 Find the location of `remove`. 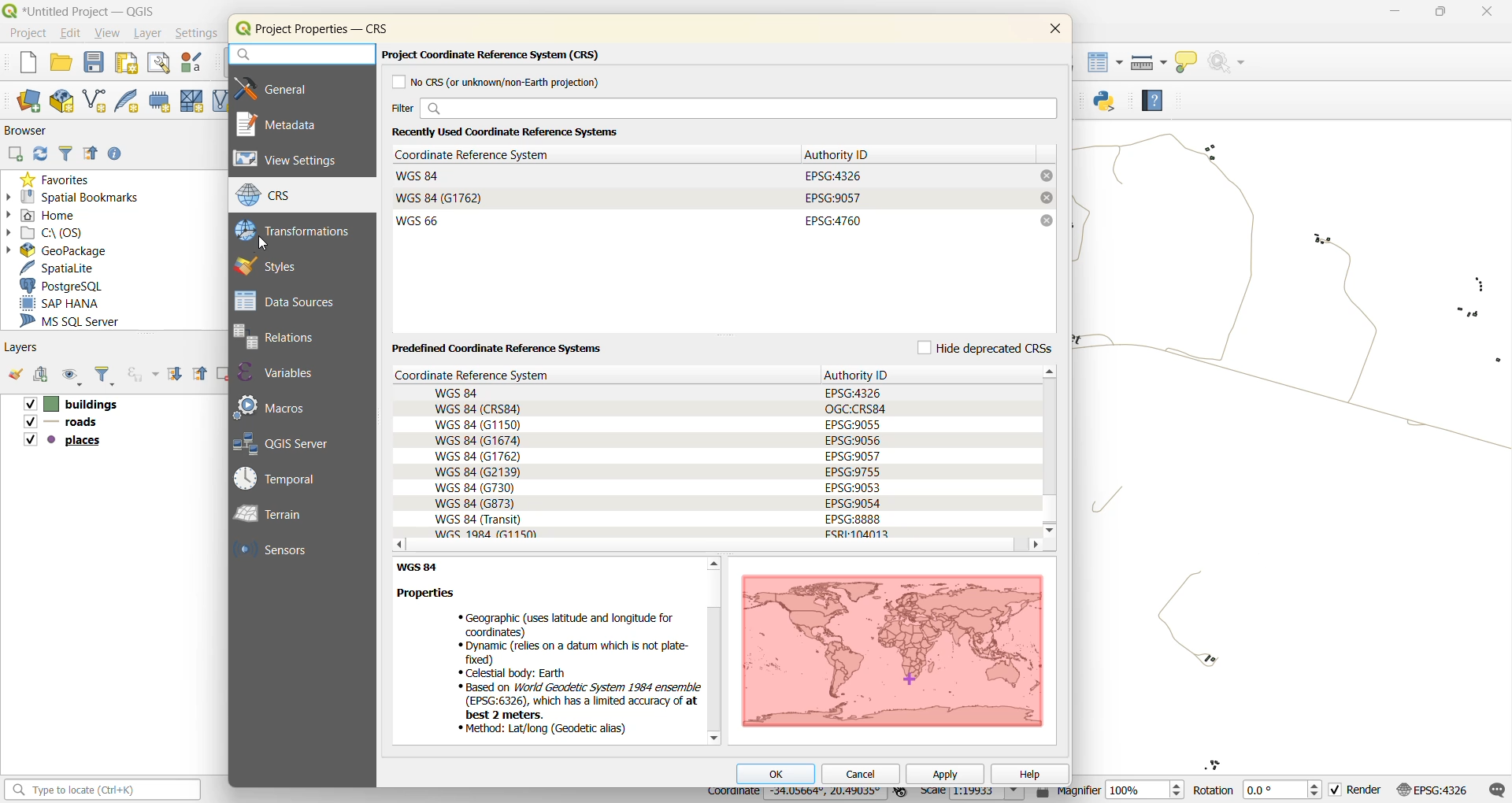

remove is located at coordinates (1046, 176).